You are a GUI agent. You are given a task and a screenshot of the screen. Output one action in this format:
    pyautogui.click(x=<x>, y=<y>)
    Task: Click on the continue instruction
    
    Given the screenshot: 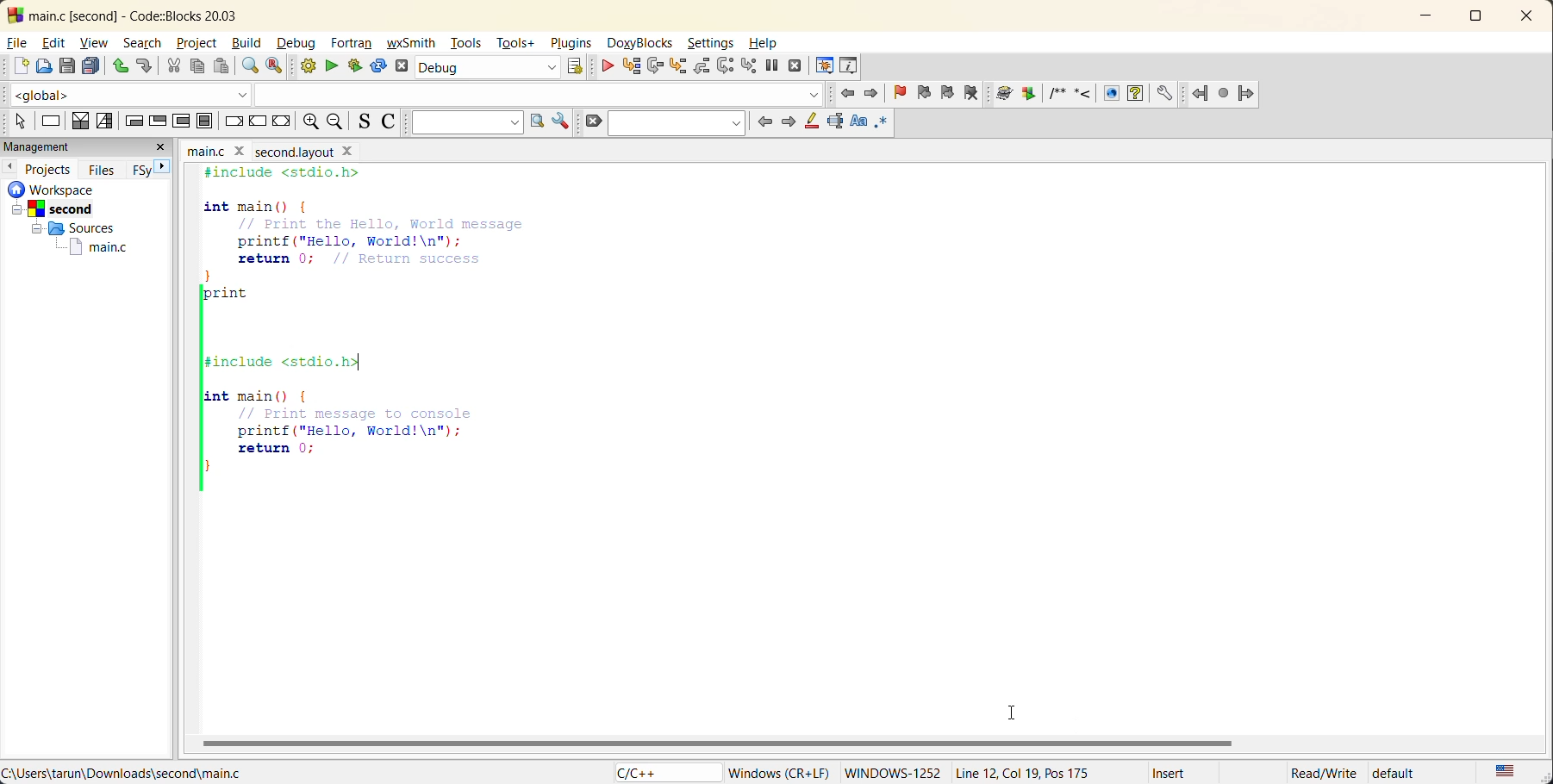 What is the action you would take?
    pyautogui.click(x=260, y=122)
    